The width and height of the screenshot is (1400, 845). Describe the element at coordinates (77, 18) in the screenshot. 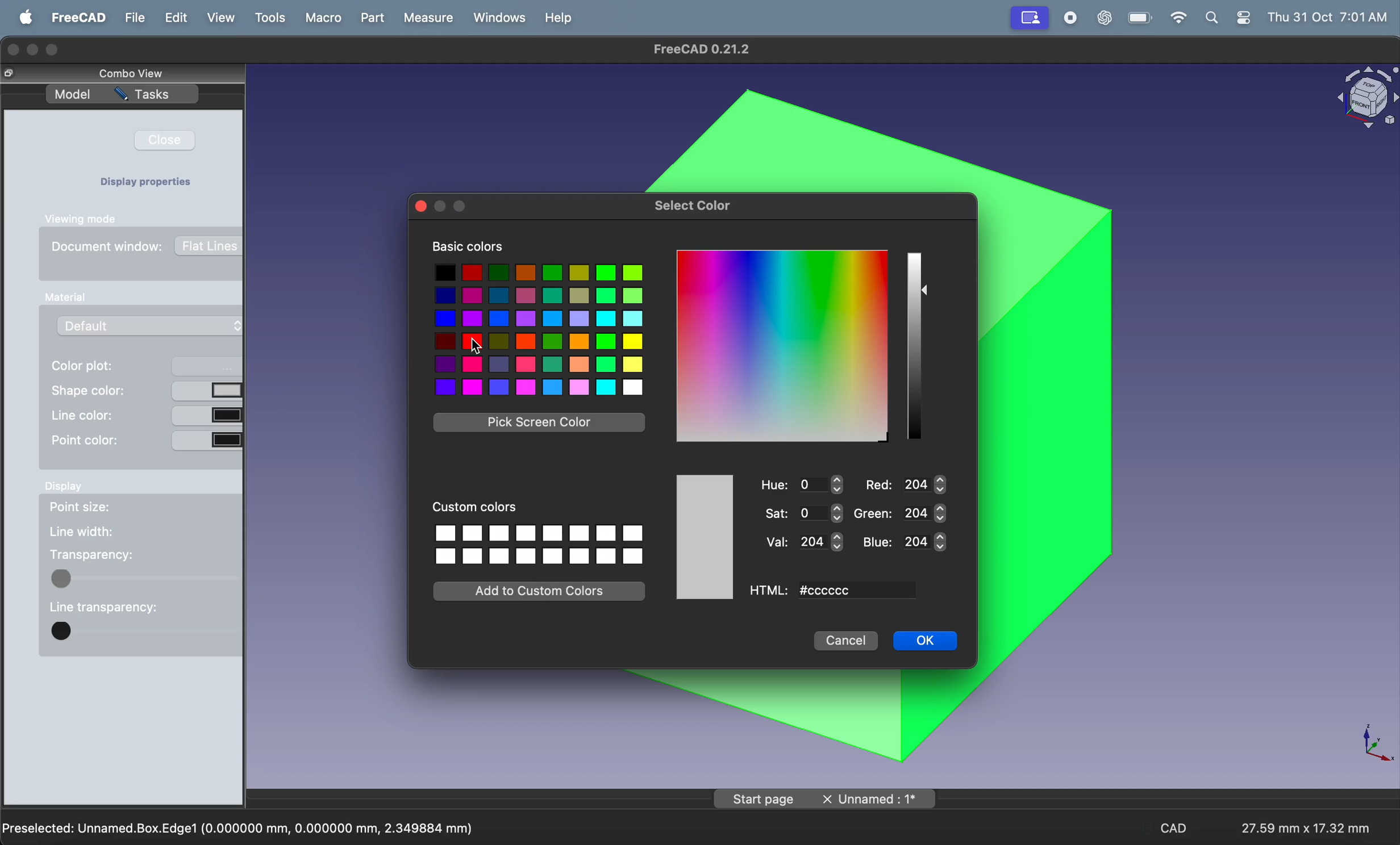

I see `freecad` at that location.